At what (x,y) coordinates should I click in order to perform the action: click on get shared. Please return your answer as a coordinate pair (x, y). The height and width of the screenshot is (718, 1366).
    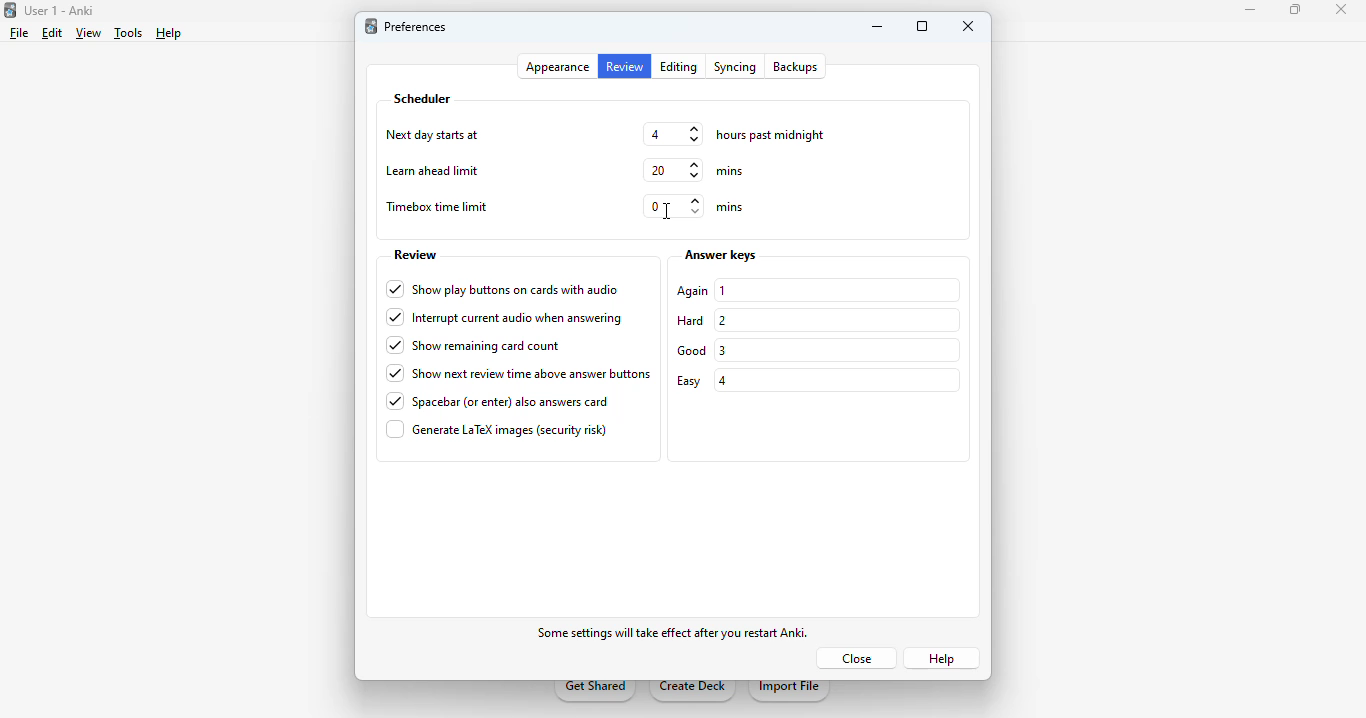
    Looking at the image, I should click on (596, 691).